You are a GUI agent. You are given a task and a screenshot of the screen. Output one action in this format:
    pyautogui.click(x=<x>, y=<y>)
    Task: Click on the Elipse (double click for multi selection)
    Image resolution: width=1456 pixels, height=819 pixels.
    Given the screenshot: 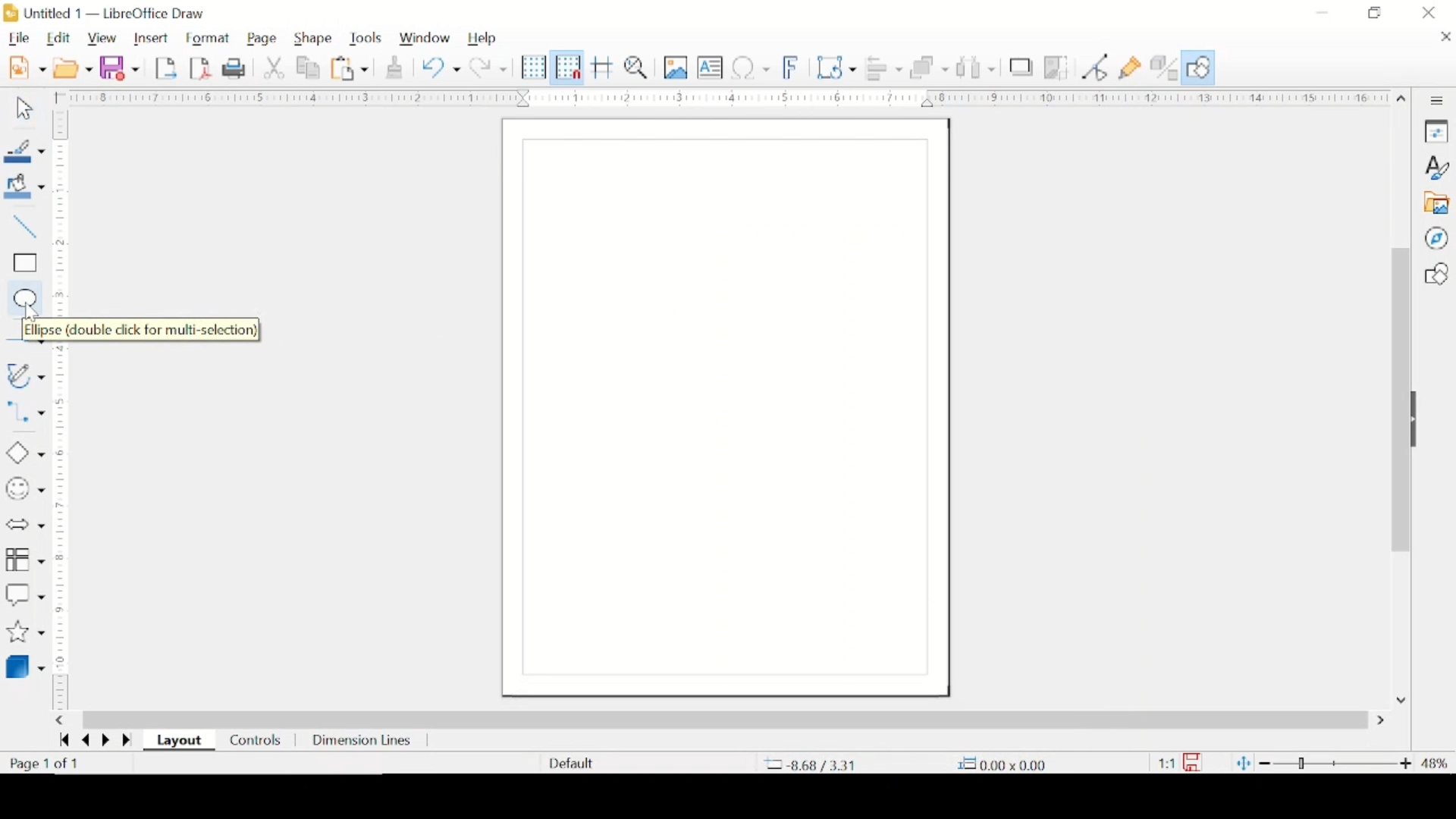 What is the action you would take?
    pyautogui.click(x=137, y=331)
    